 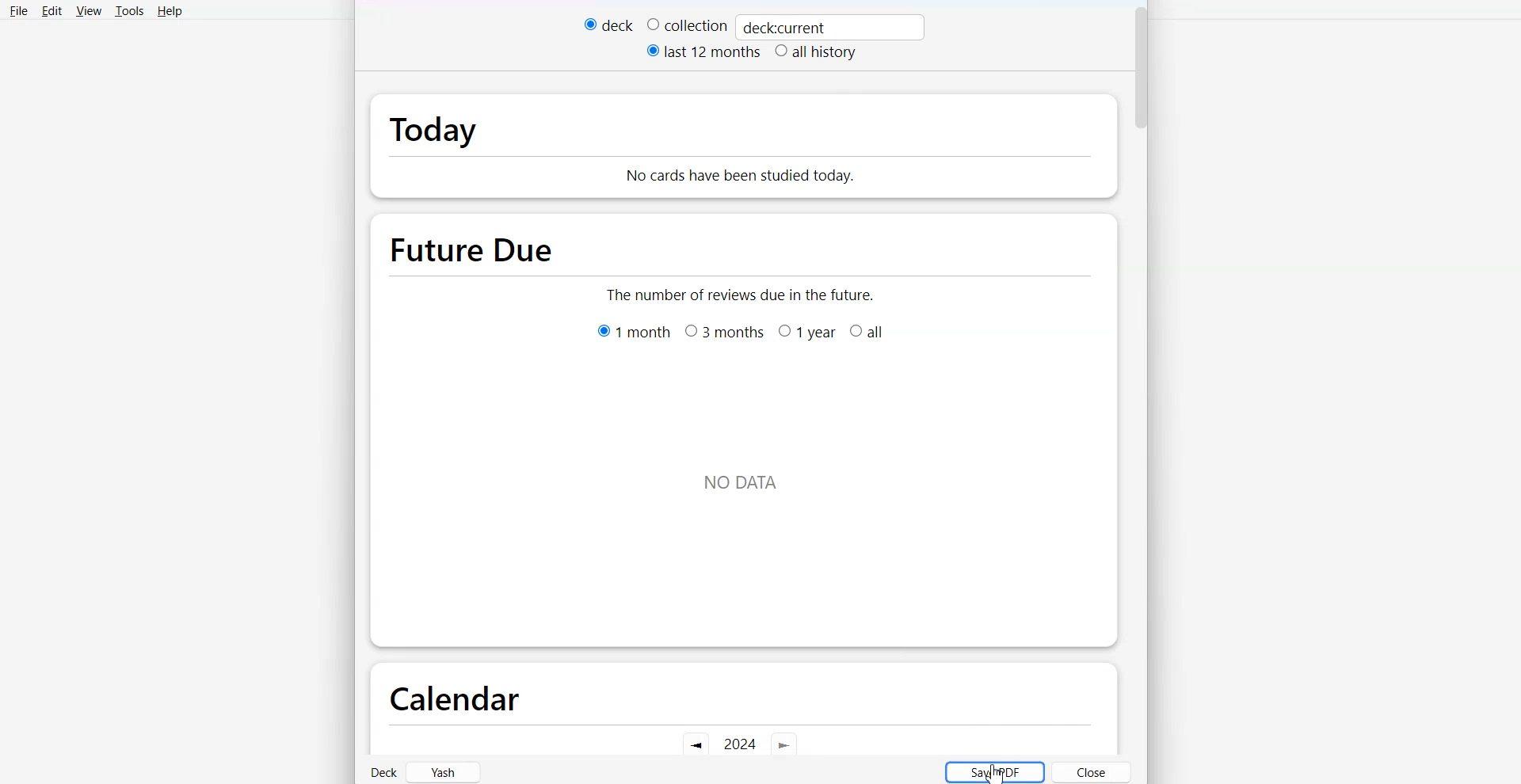 What do you see at coordinates (475, 244) in the screenshot?
I see `Future Due` at bounding box center [475, 244].